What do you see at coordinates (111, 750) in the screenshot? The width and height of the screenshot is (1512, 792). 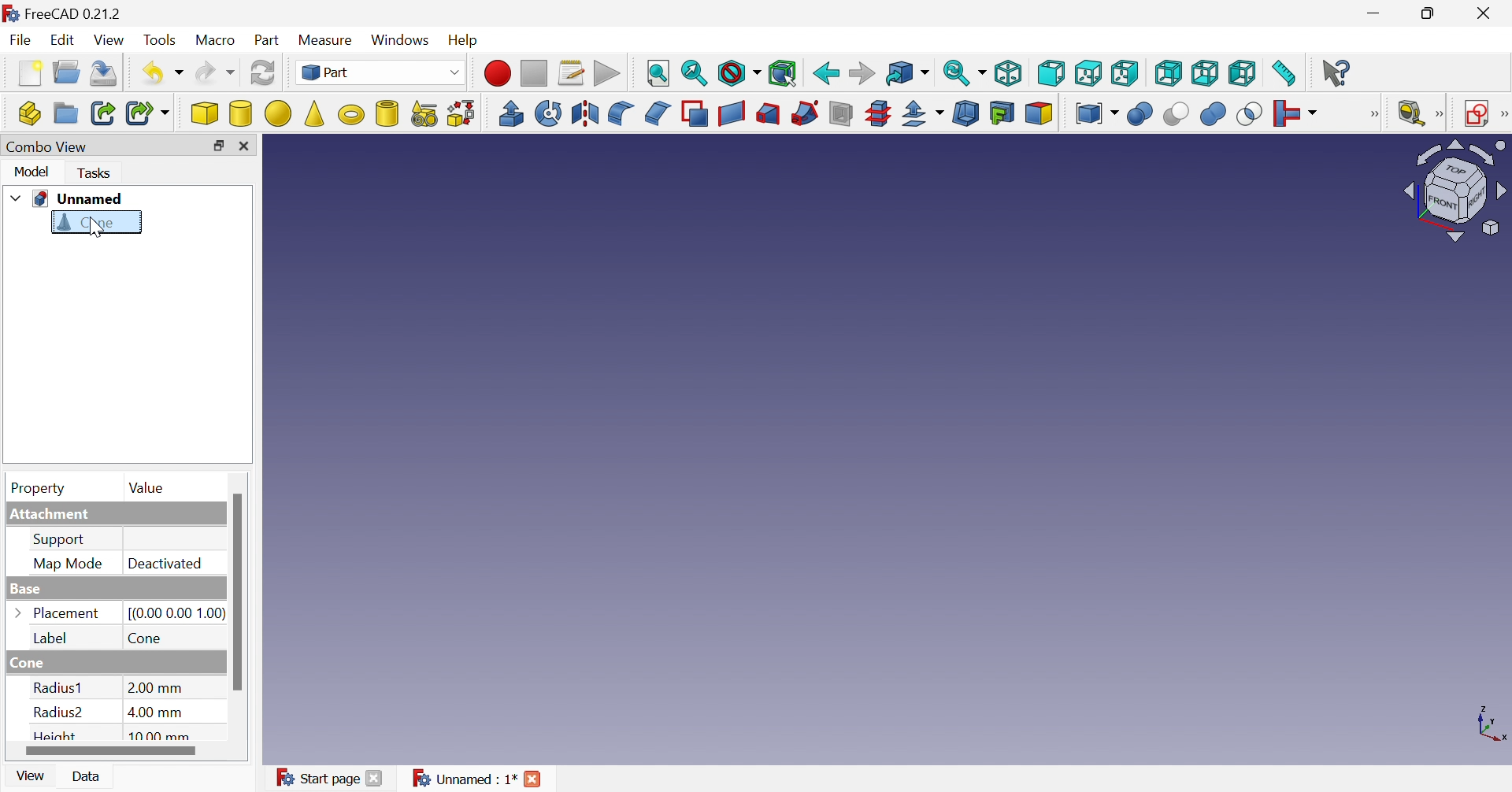 I see `Scroll bar` at bounding box center [111, 750].